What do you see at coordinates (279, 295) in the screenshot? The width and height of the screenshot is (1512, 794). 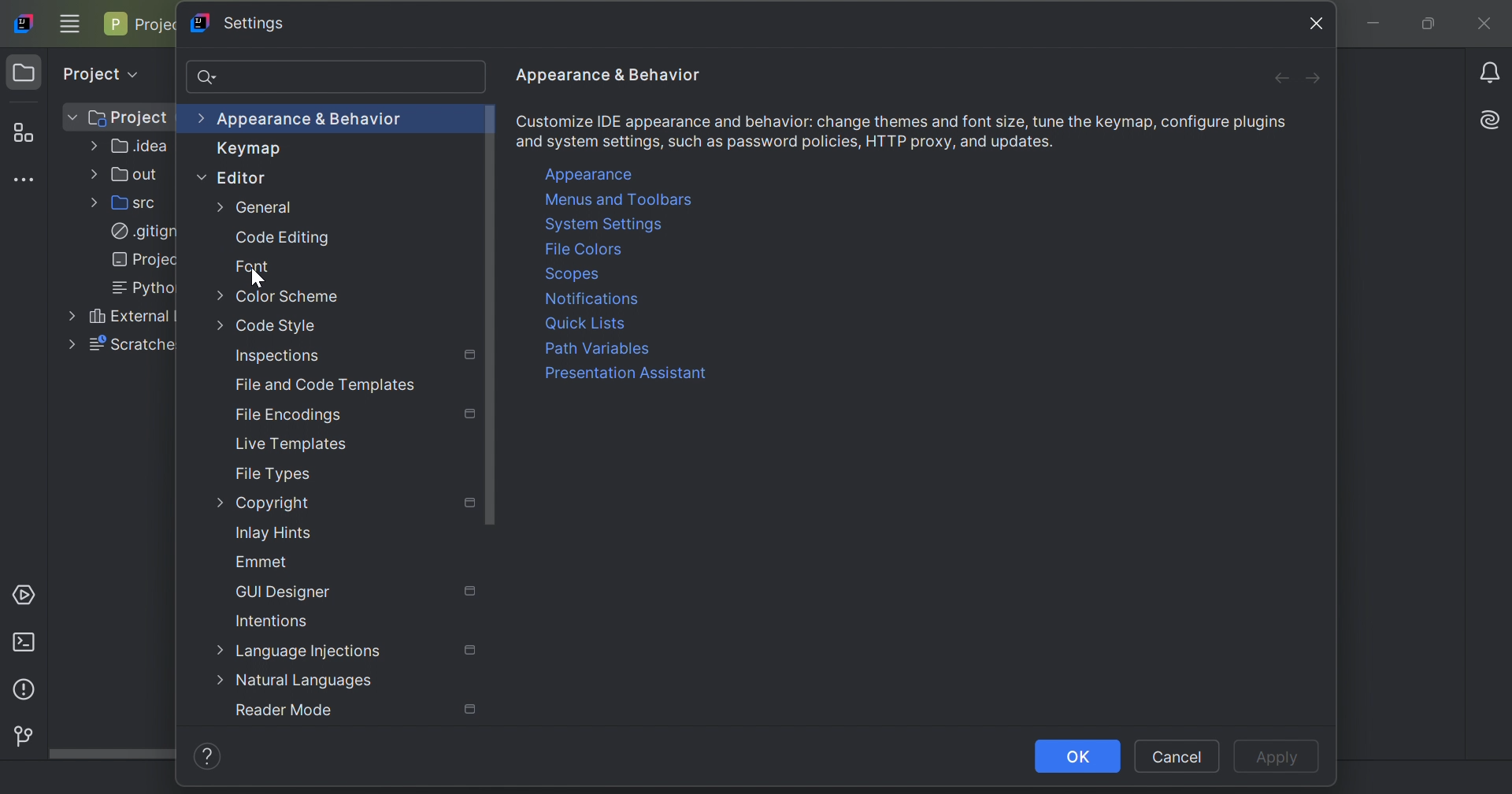 I see `Color scheme` at bounding box center [279, 295].